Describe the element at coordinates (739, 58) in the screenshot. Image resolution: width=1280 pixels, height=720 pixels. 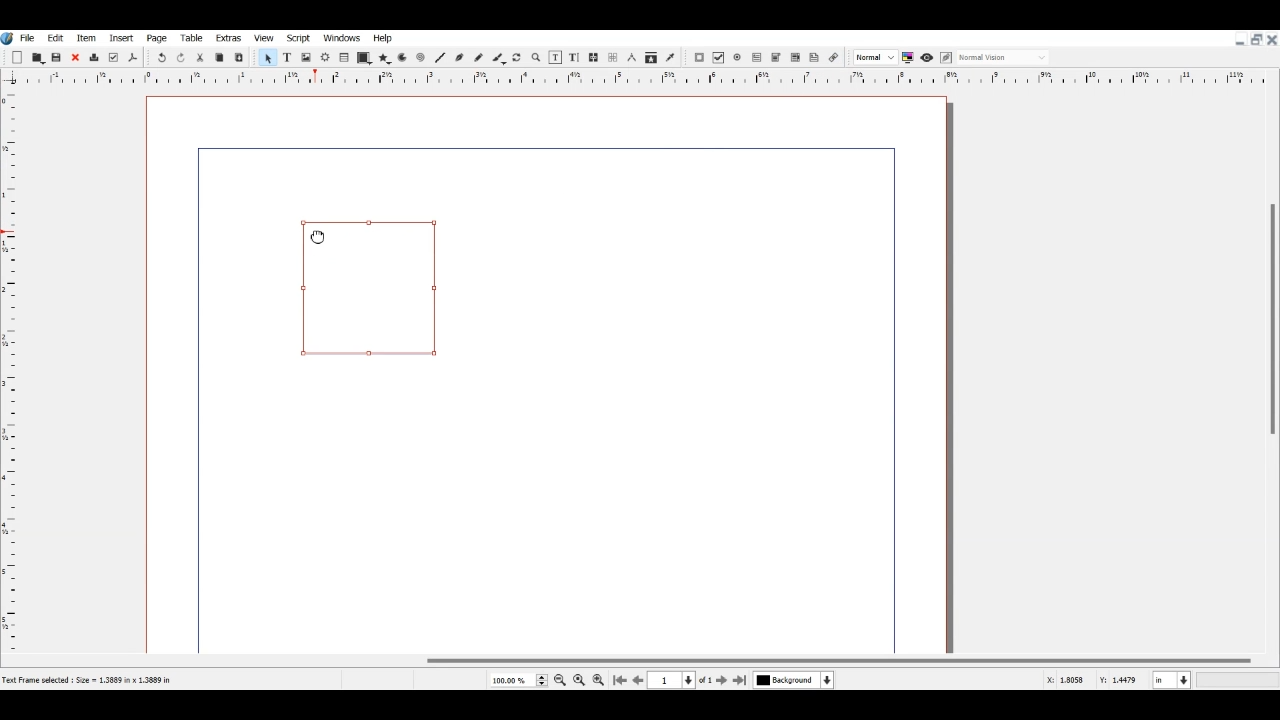
I see `PDF Radio Button ` at that location.